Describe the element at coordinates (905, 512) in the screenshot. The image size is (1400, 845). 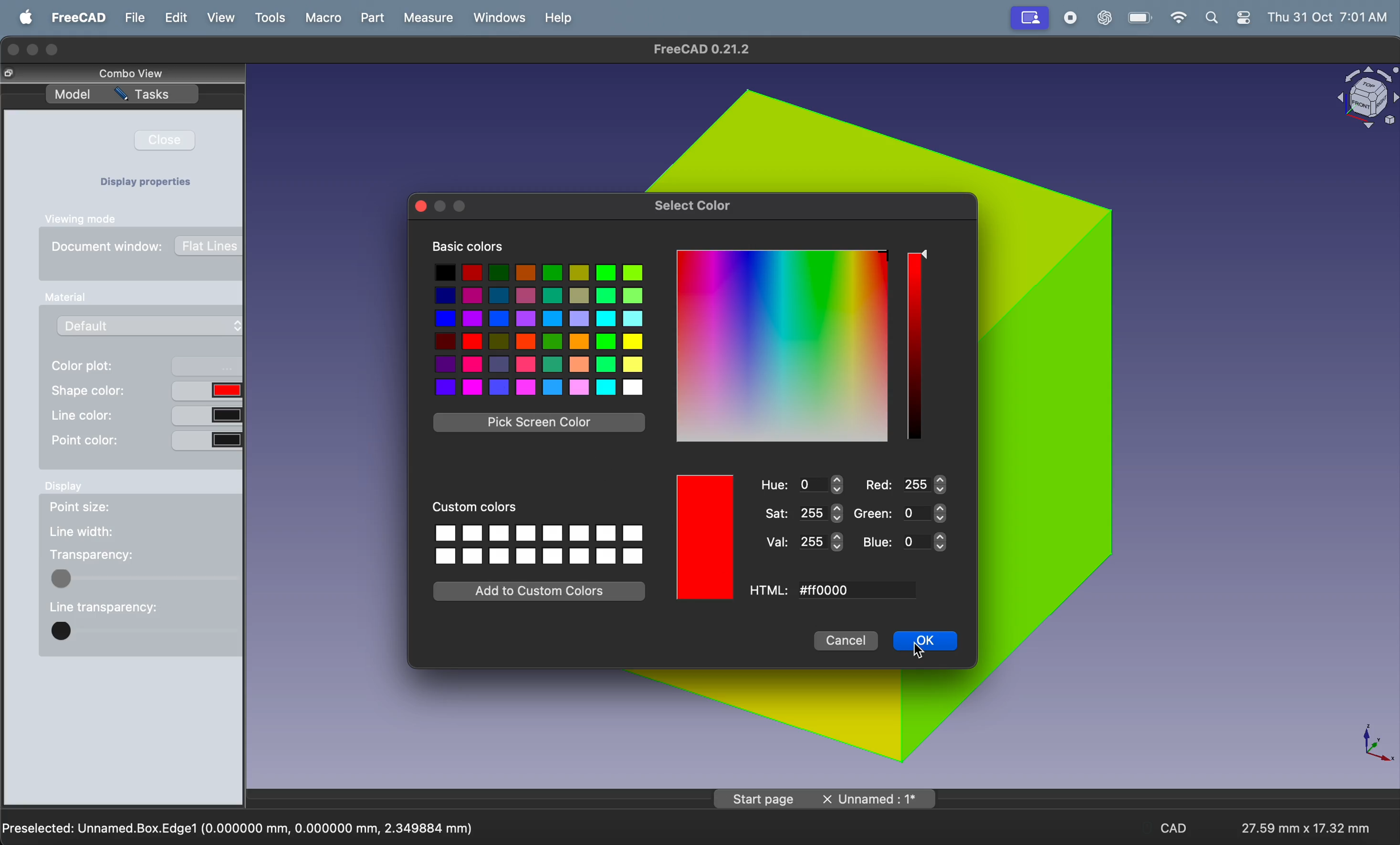
I see `green` at that location.